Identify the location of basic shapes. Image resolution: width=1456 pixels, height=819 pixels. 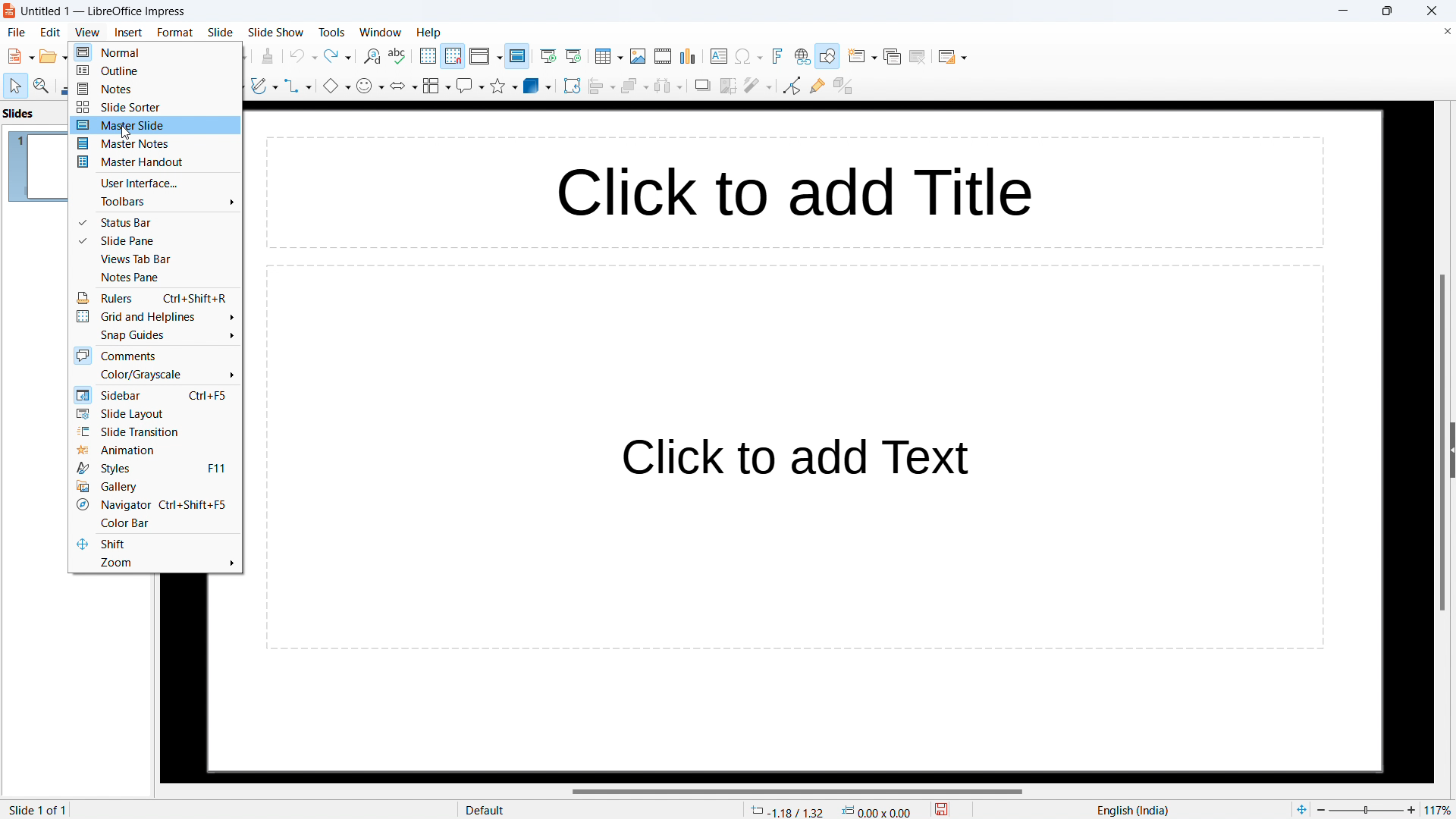
(337, 85).